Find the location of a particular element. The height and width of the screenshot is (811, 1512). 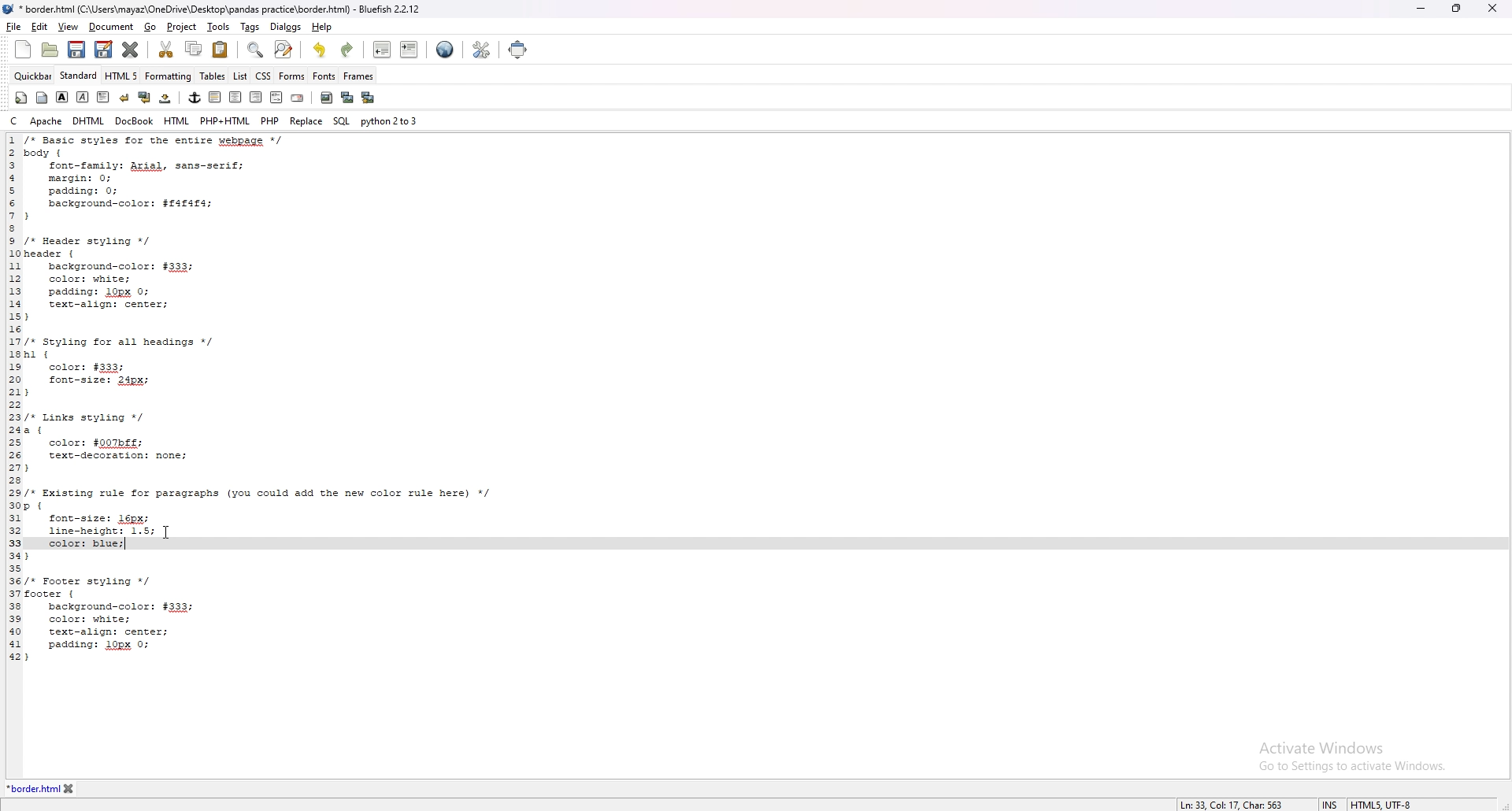

paste is located at coordinates (220, 49).